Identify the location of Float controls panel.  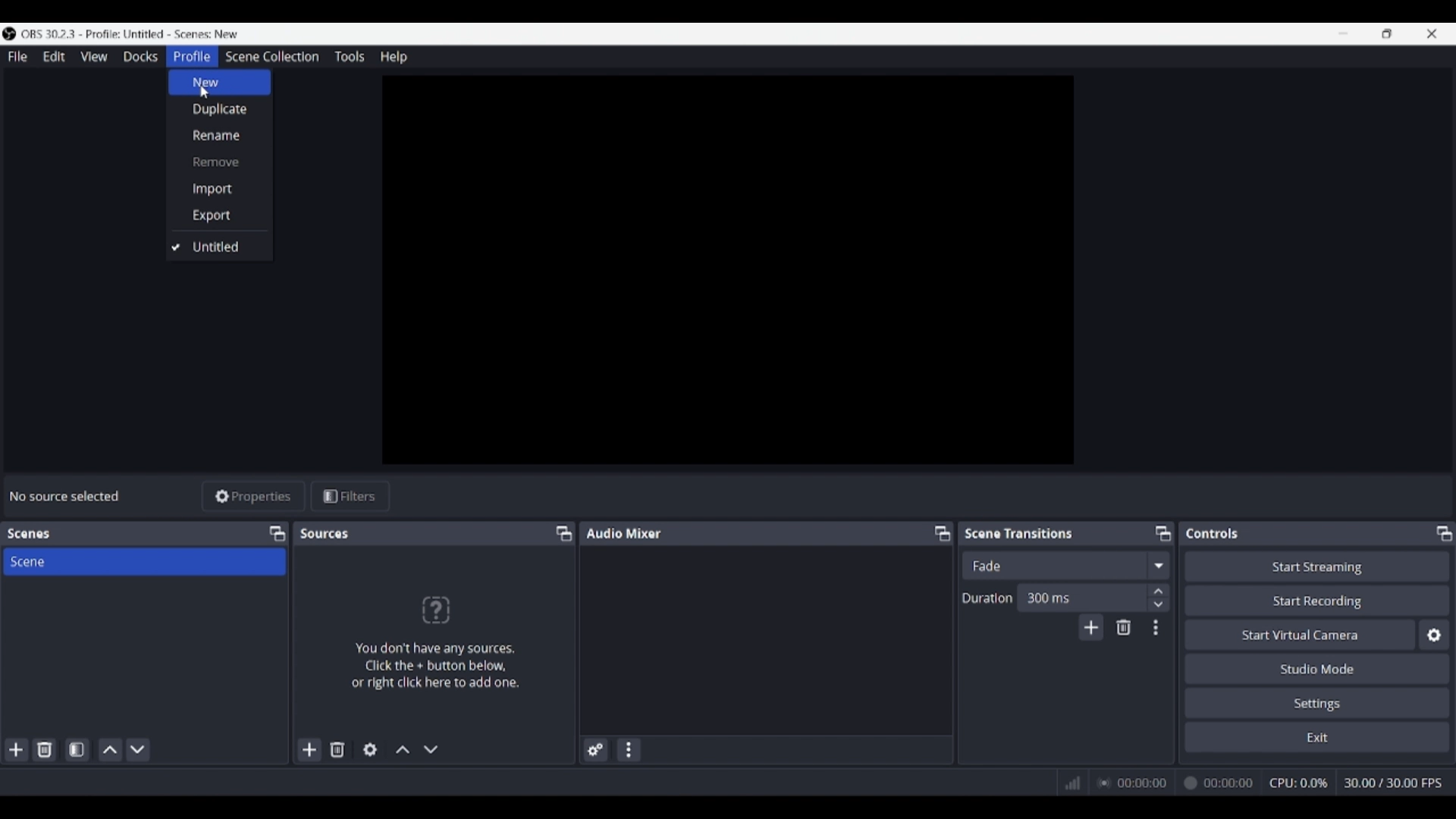
(1444, 533).